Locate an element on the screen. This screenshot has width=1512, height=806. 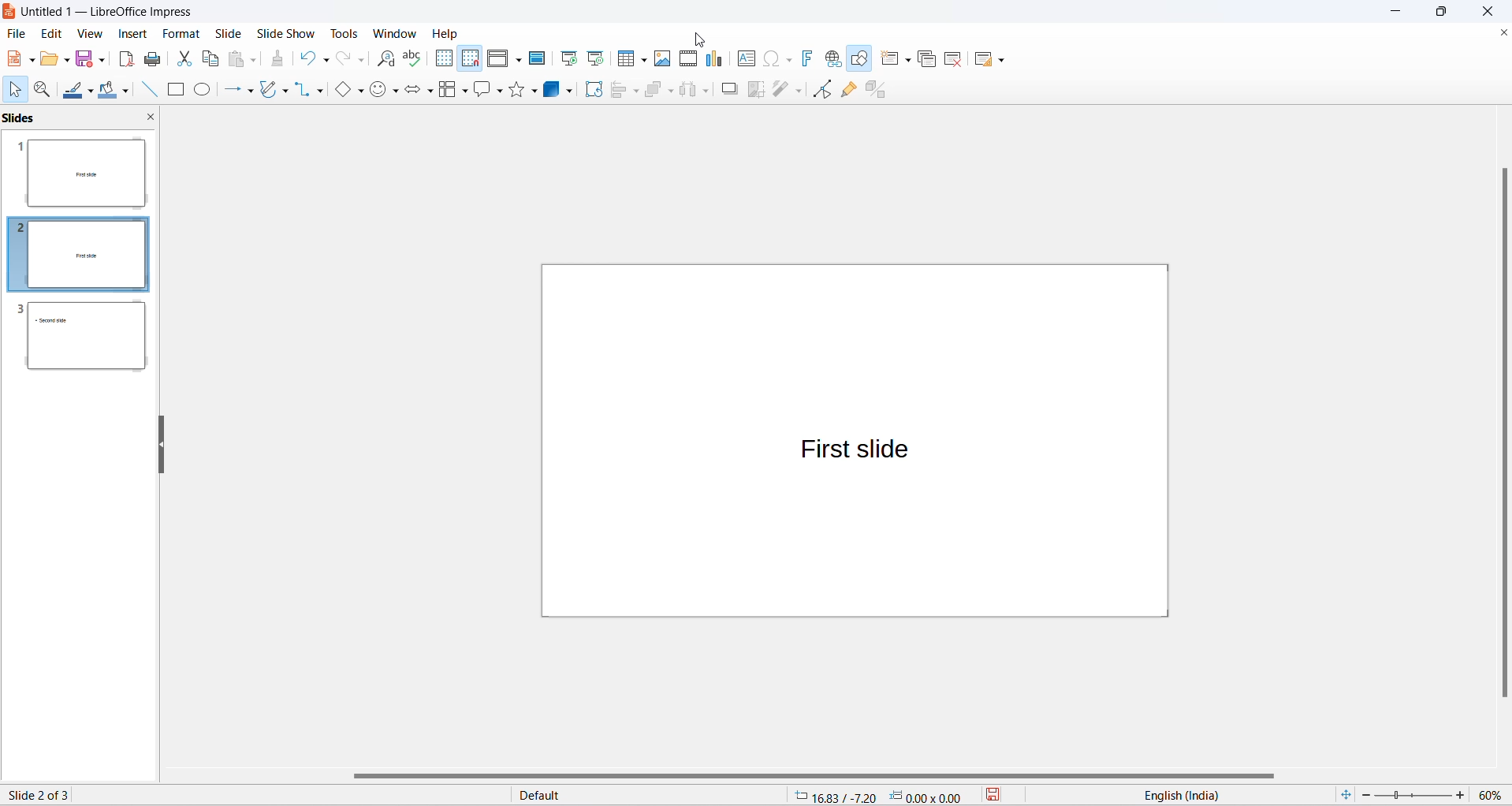
view is located at coordinates (92, 33).